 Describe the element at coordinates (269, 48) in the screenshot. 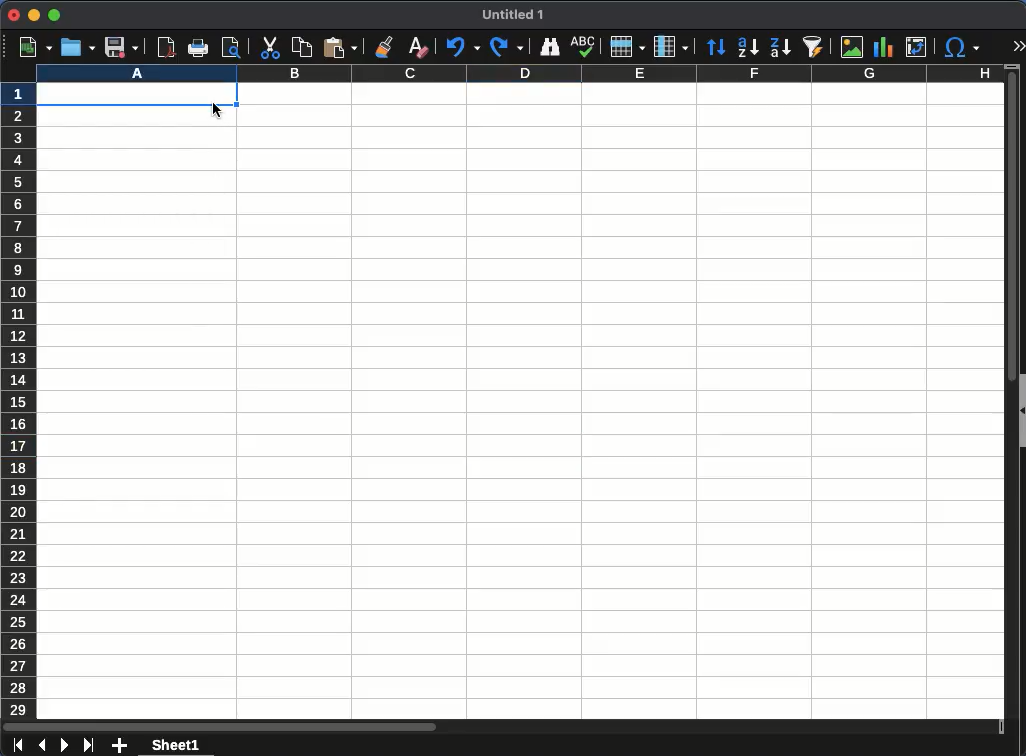

I see `cut` at that location.